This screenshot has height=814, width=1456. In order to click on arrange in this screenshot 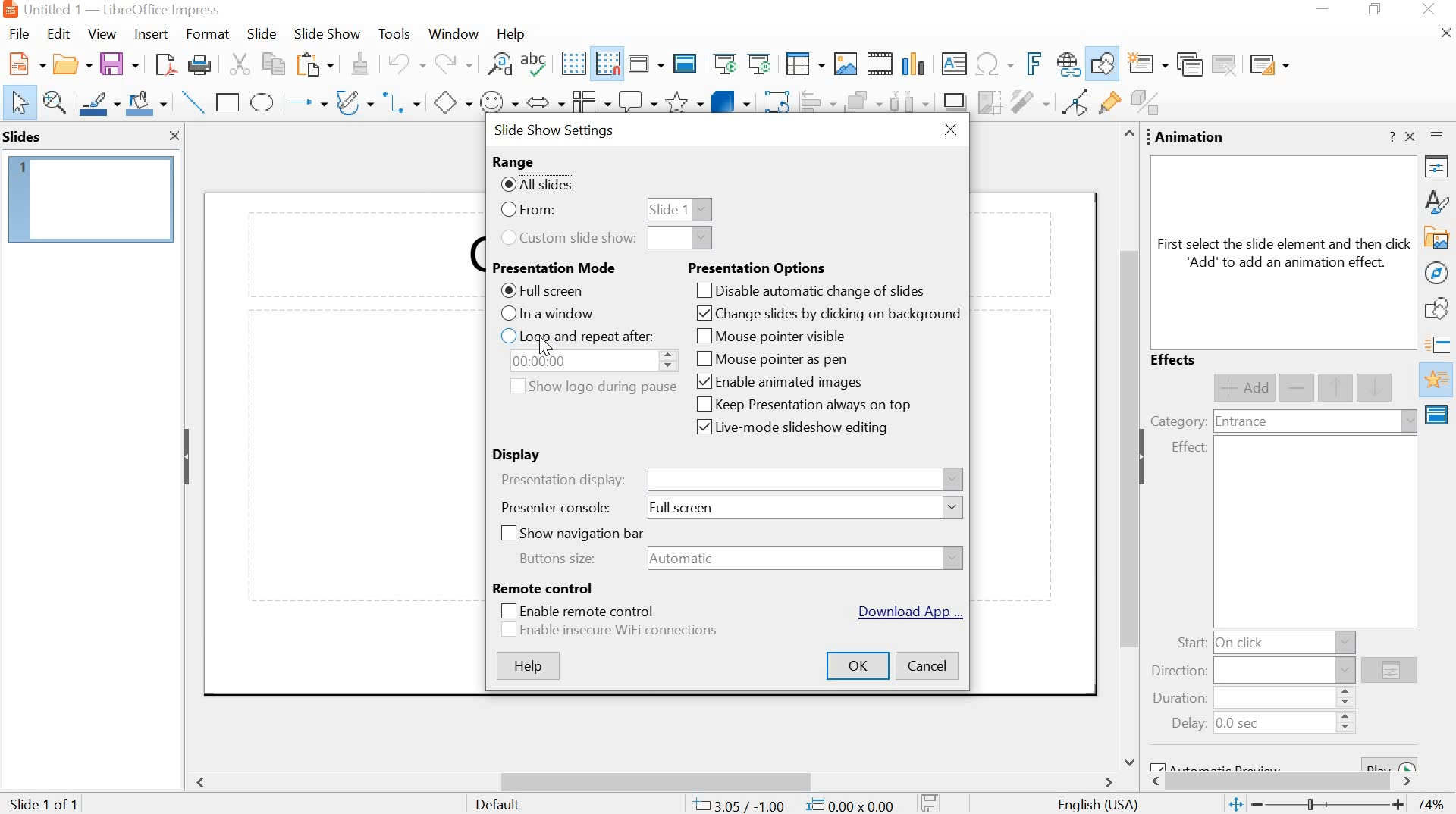, I will do `click(861, 104)`.